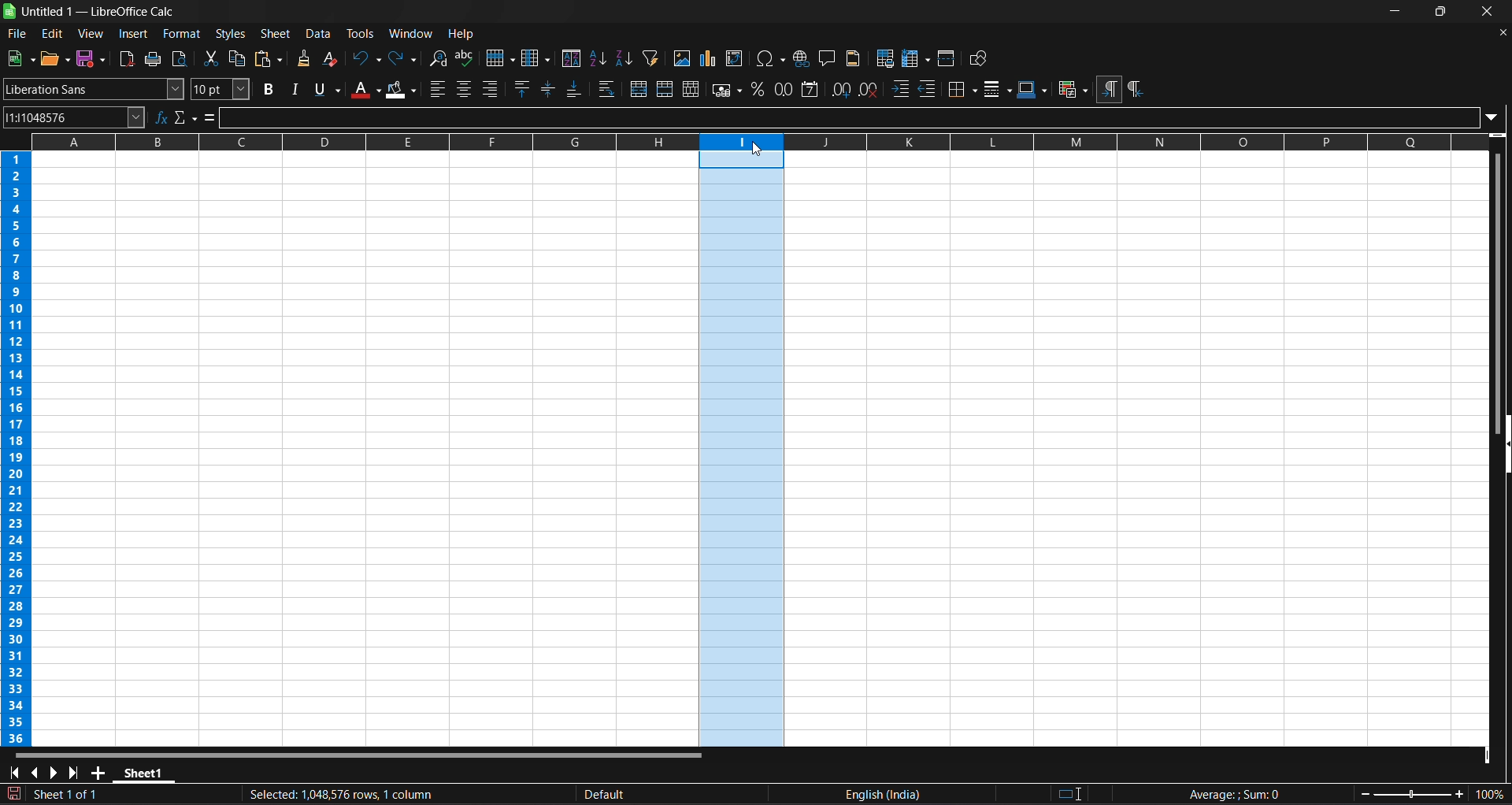  I want to click on add new sheet, so click(98, 772).